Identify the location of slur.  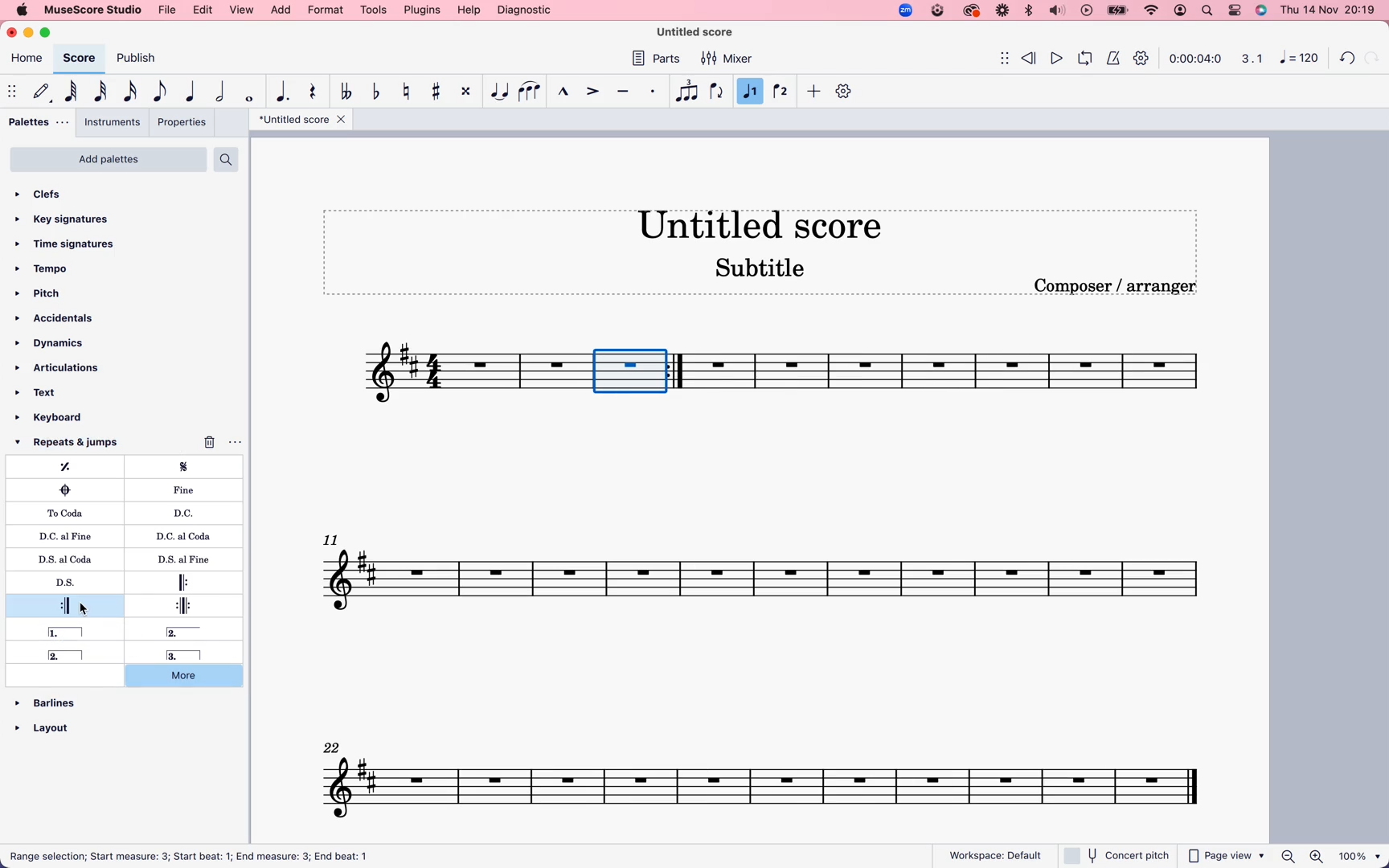
(531, 92).